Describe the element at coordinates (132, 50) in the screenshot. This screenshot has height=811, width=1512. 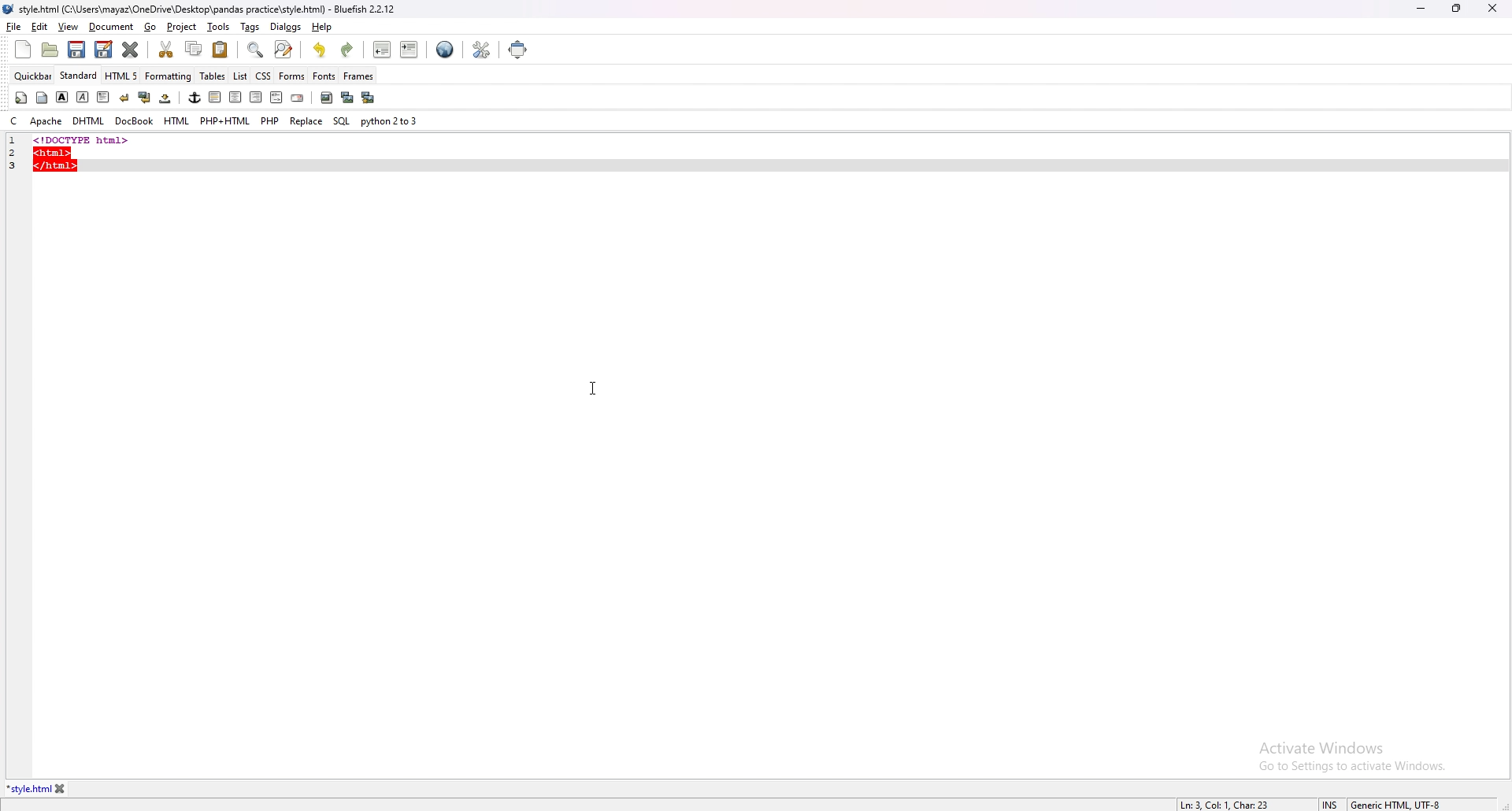
I see `close current tab` at that location.